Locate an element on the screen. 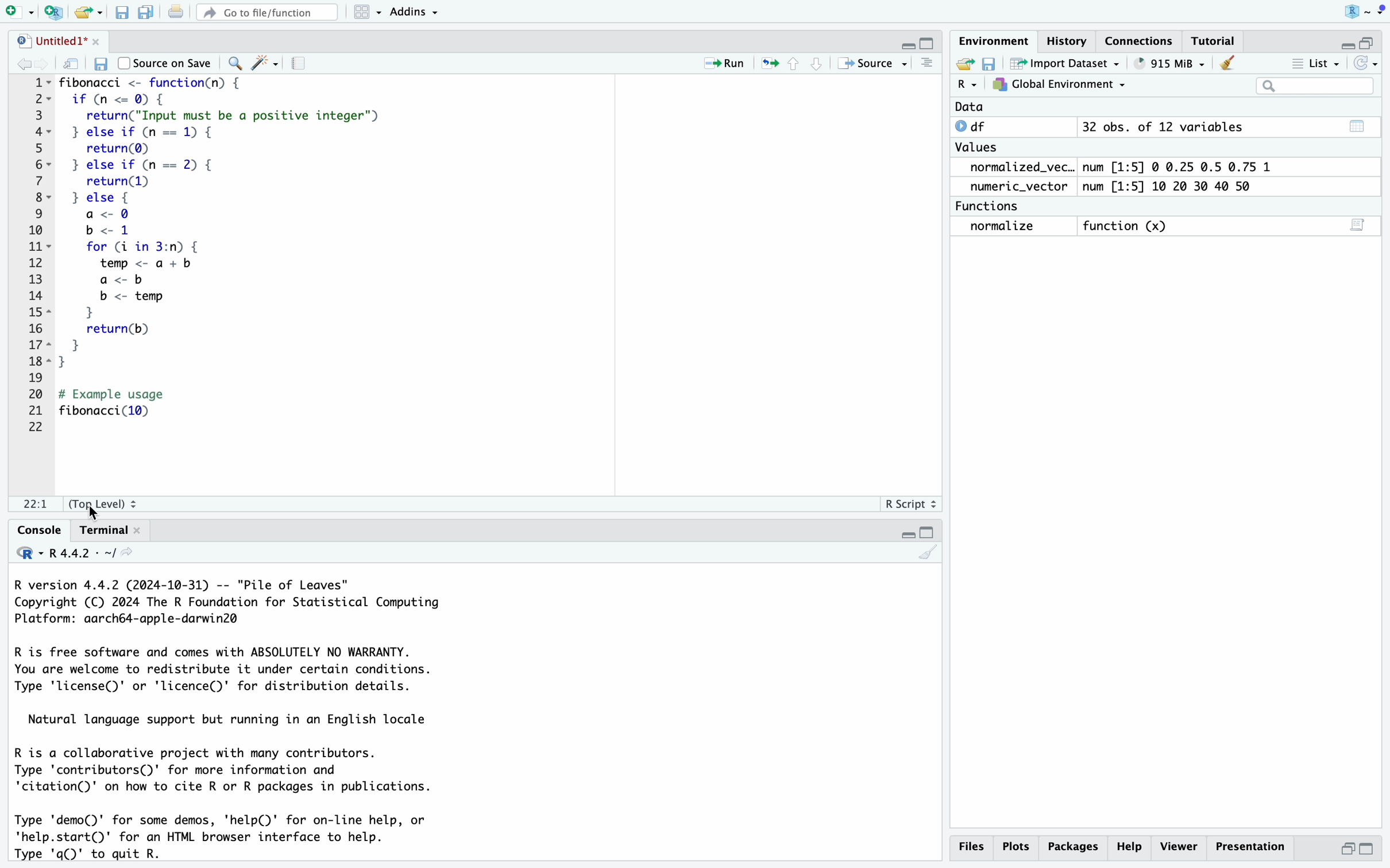 The width and height of the screenshot is (1390, 868). date is located at coordinates (978, 106).